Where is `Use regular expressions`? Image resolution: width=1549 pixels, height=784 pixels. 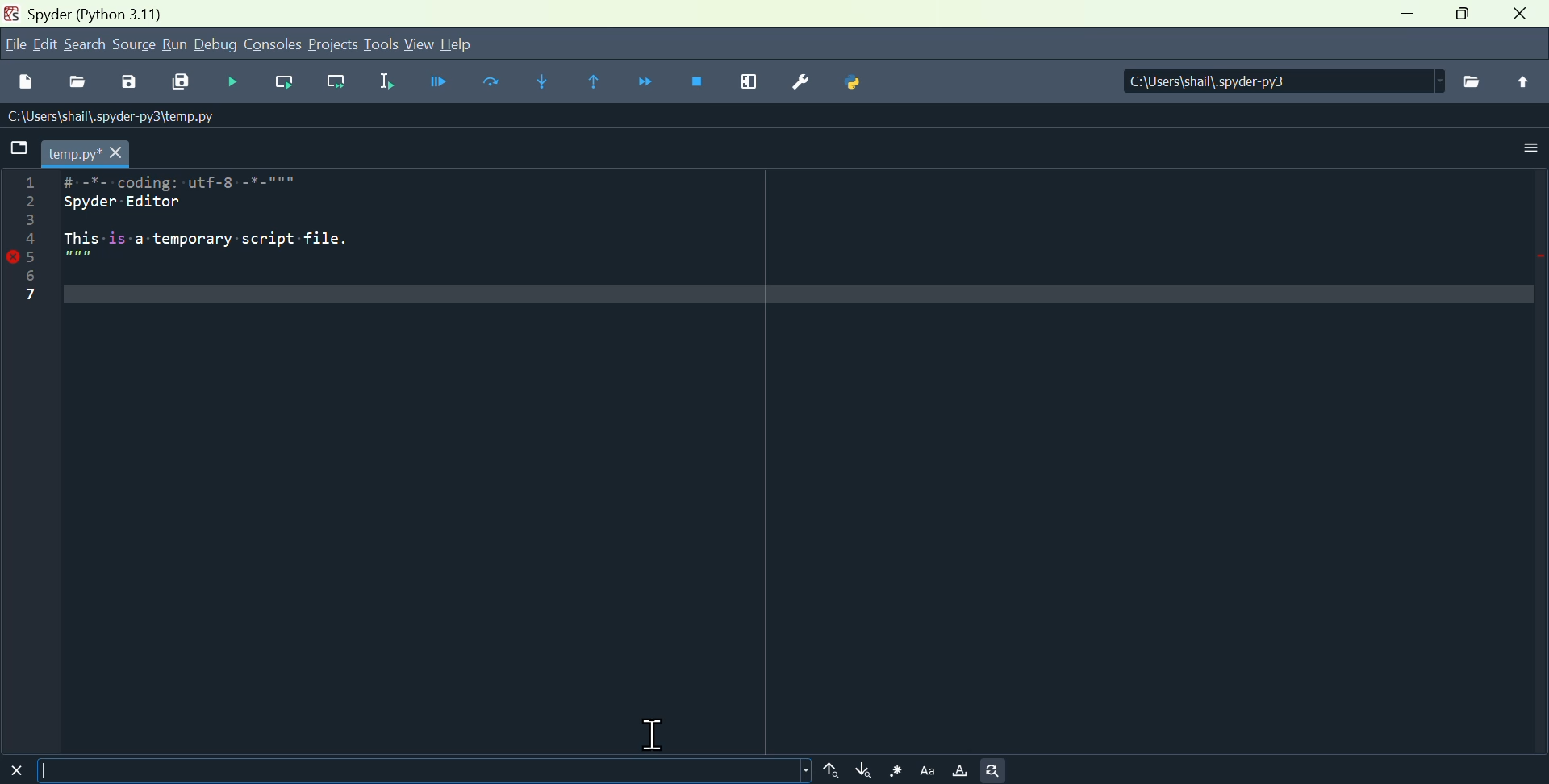 Use regular expressions is located at coordinates (893, 770).